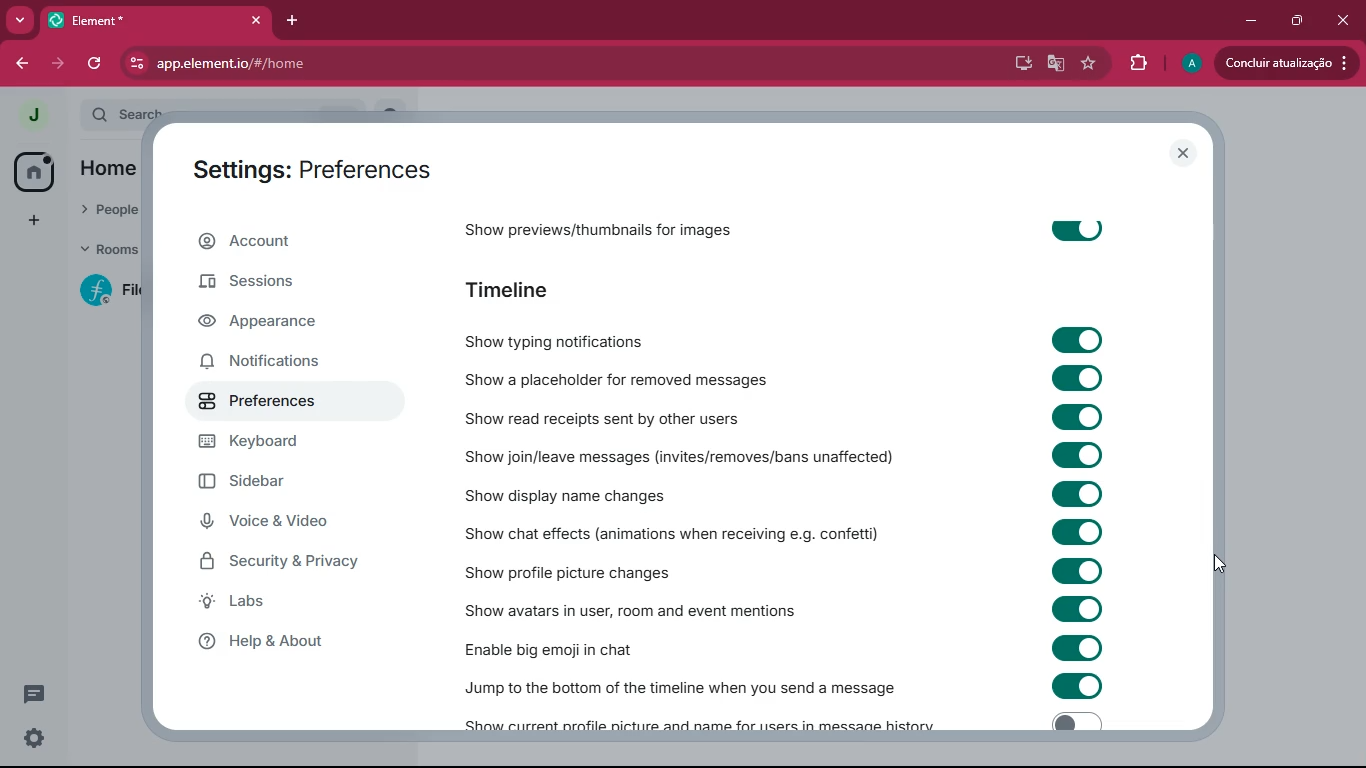 The height and width of the screenshot is (768, 1366). What do you see at coordinates (1192, 64) in the screenshot?
I see `a` at bounding box center [1192, 64].